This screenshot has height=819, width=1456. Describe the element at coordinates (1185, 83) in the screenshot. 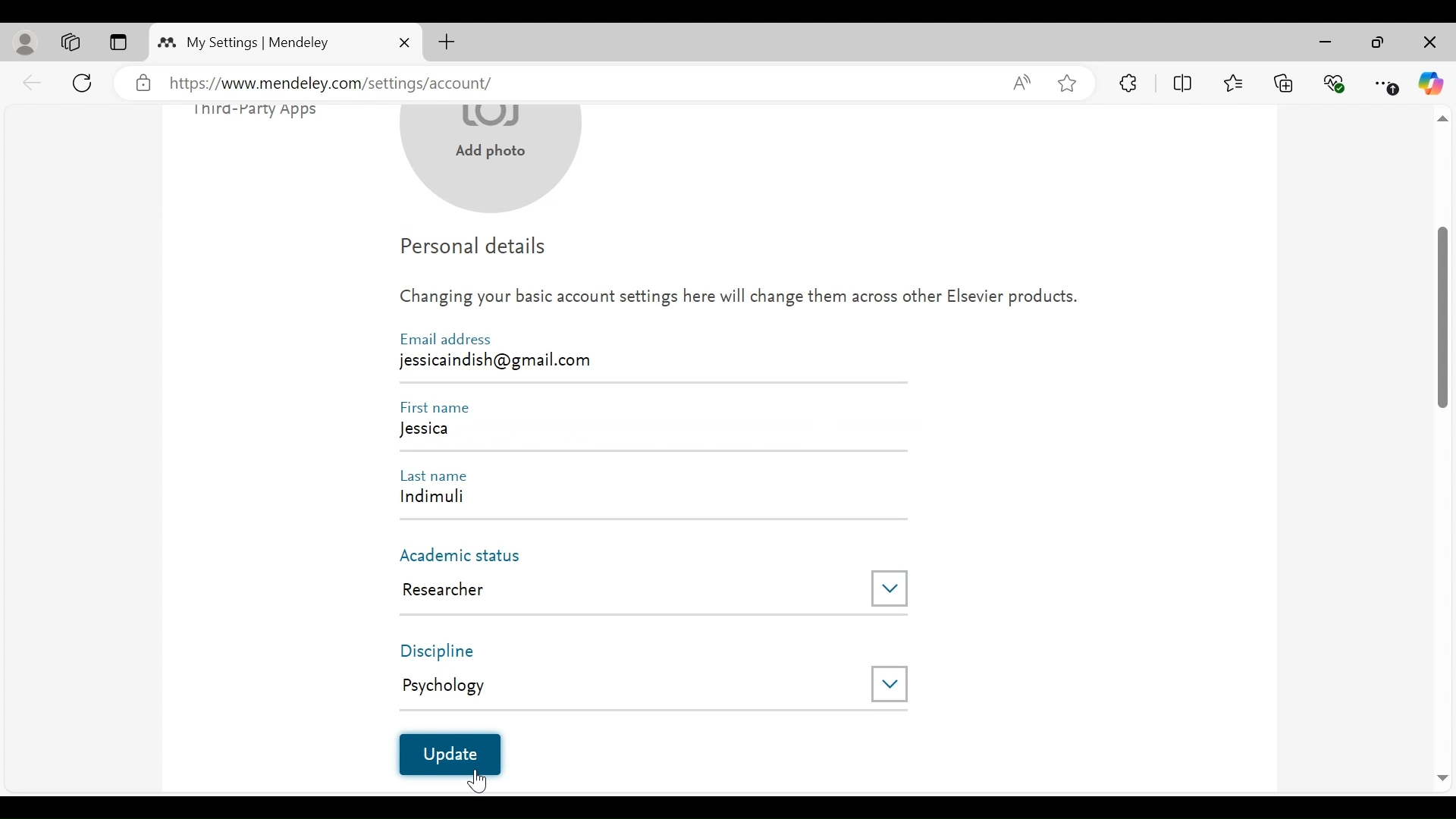

I see `Split Screen` at that location.